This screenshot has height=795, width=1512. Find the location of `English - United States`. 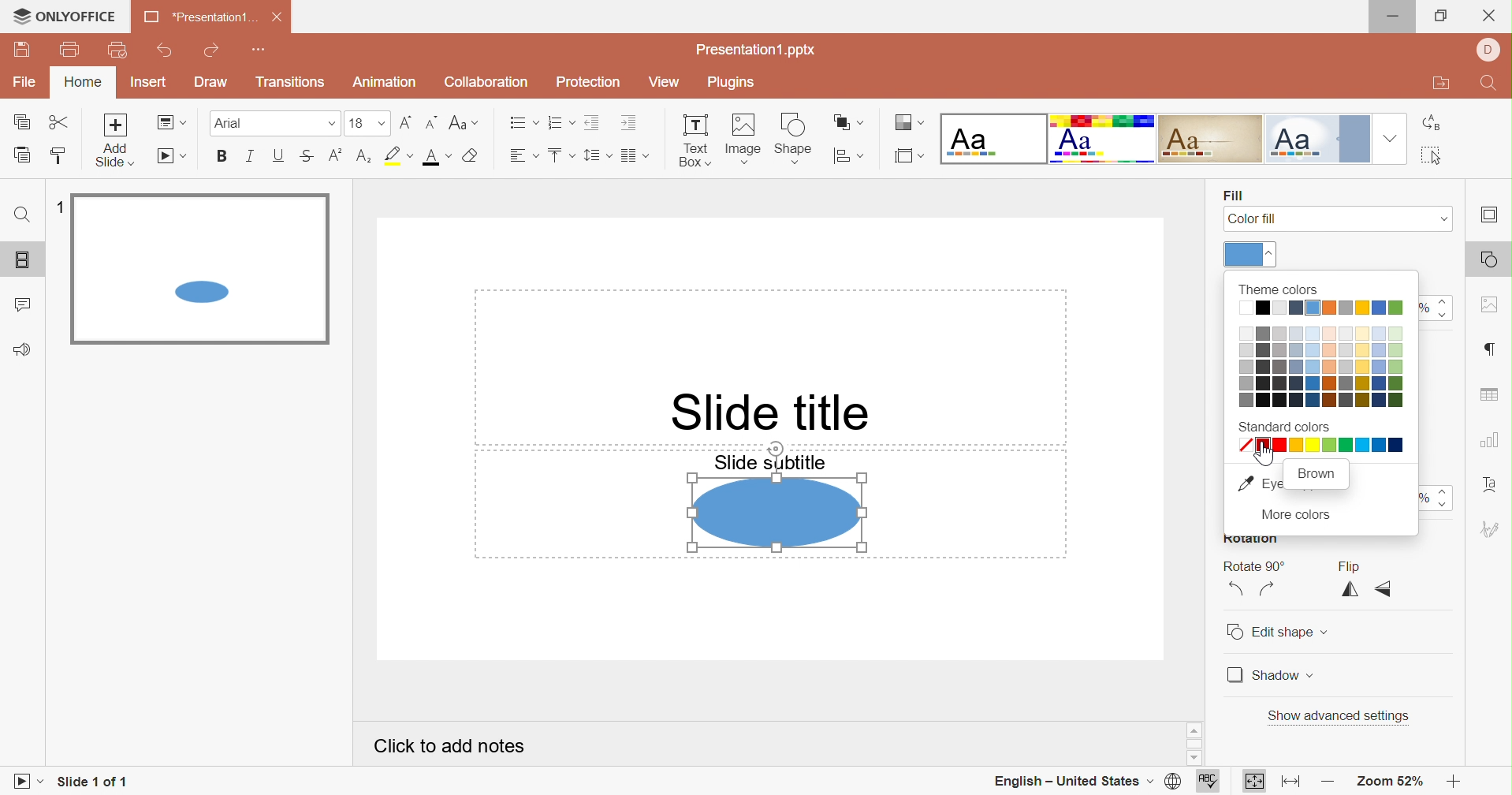

English - United States is located at coordinates (1069, 781).